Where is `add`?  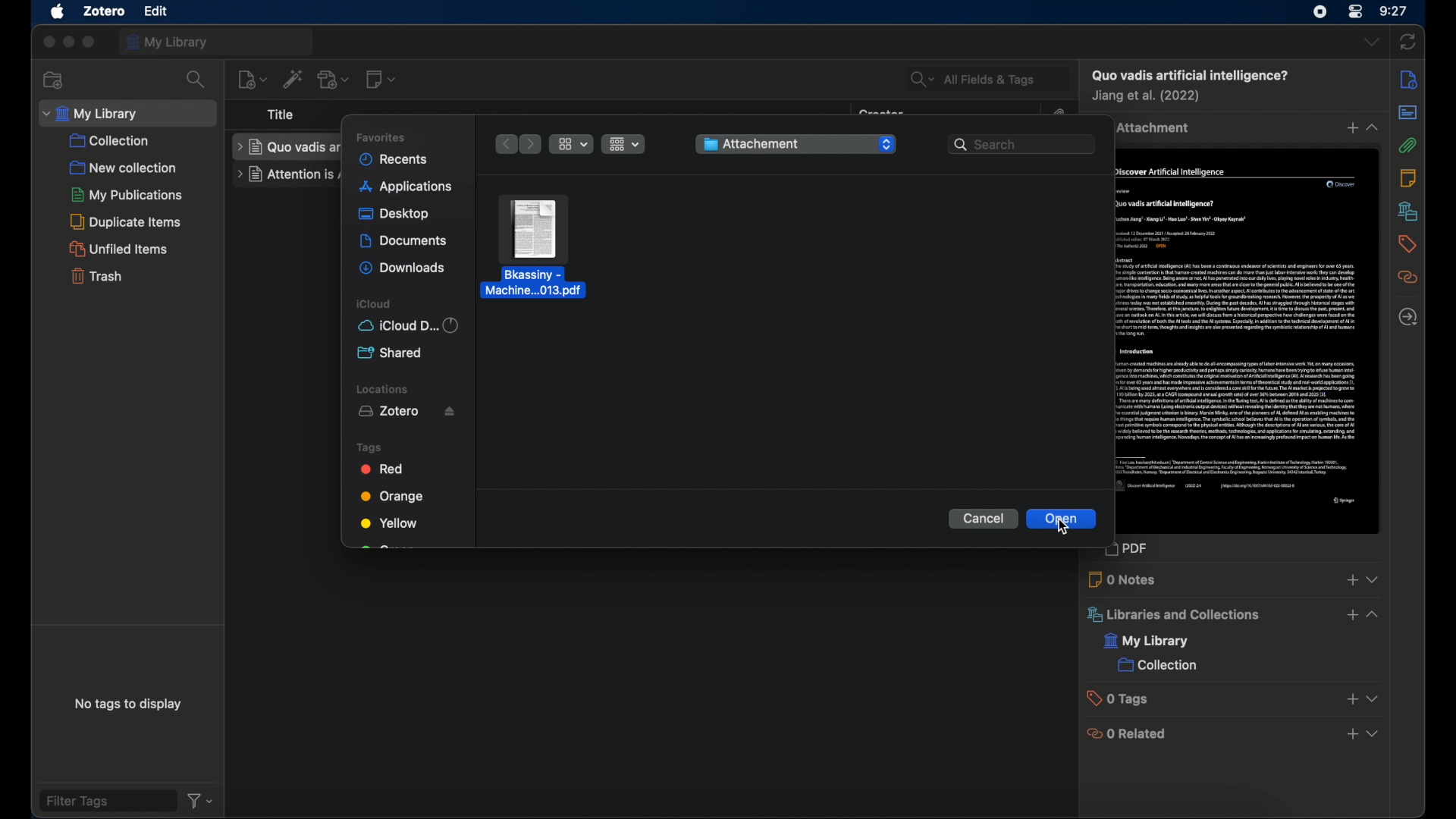
add is located at coordinates (1351, 615).